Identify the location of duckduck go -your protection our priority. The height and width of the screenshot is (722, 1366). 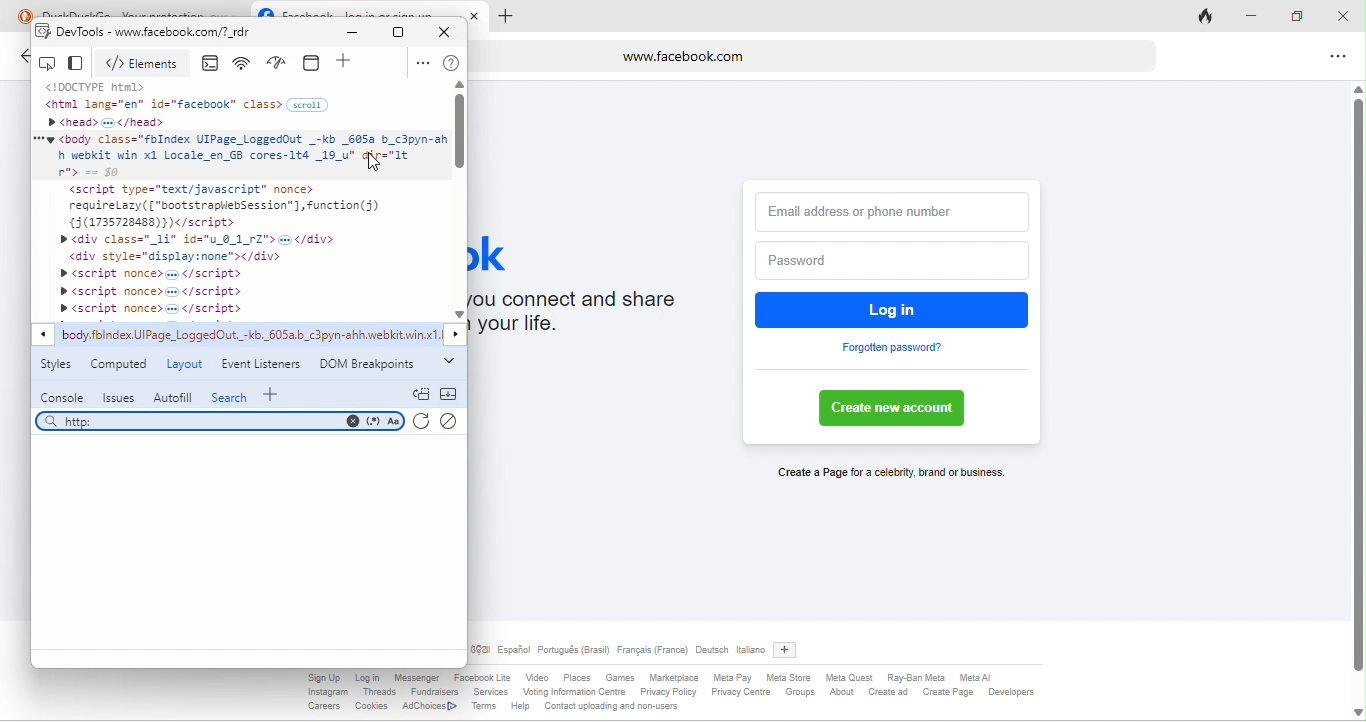
(144, 10).